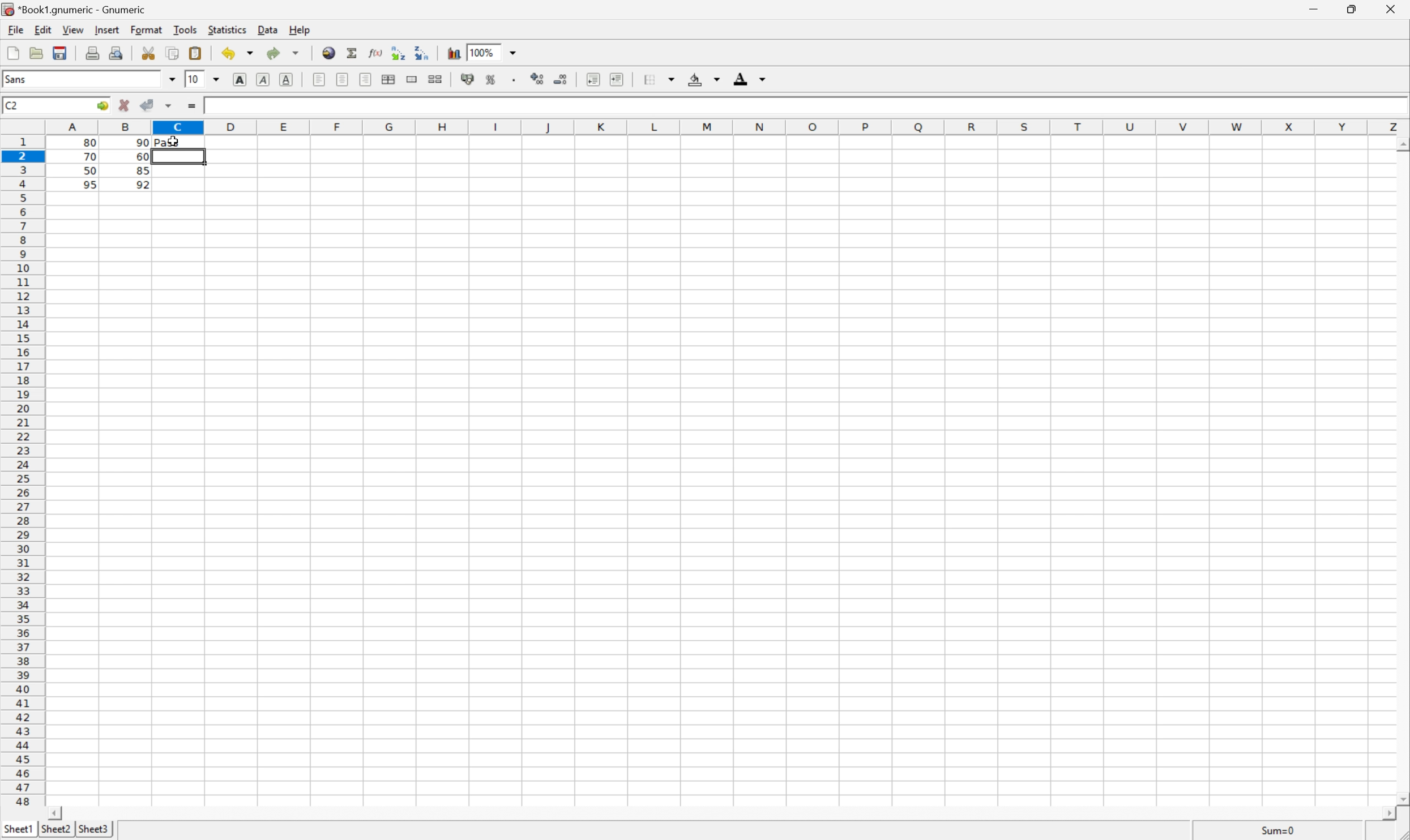 The height and width of the screenshot is (840, 1410). I want to click on Edit a function in the current cell, so click(376, 54).